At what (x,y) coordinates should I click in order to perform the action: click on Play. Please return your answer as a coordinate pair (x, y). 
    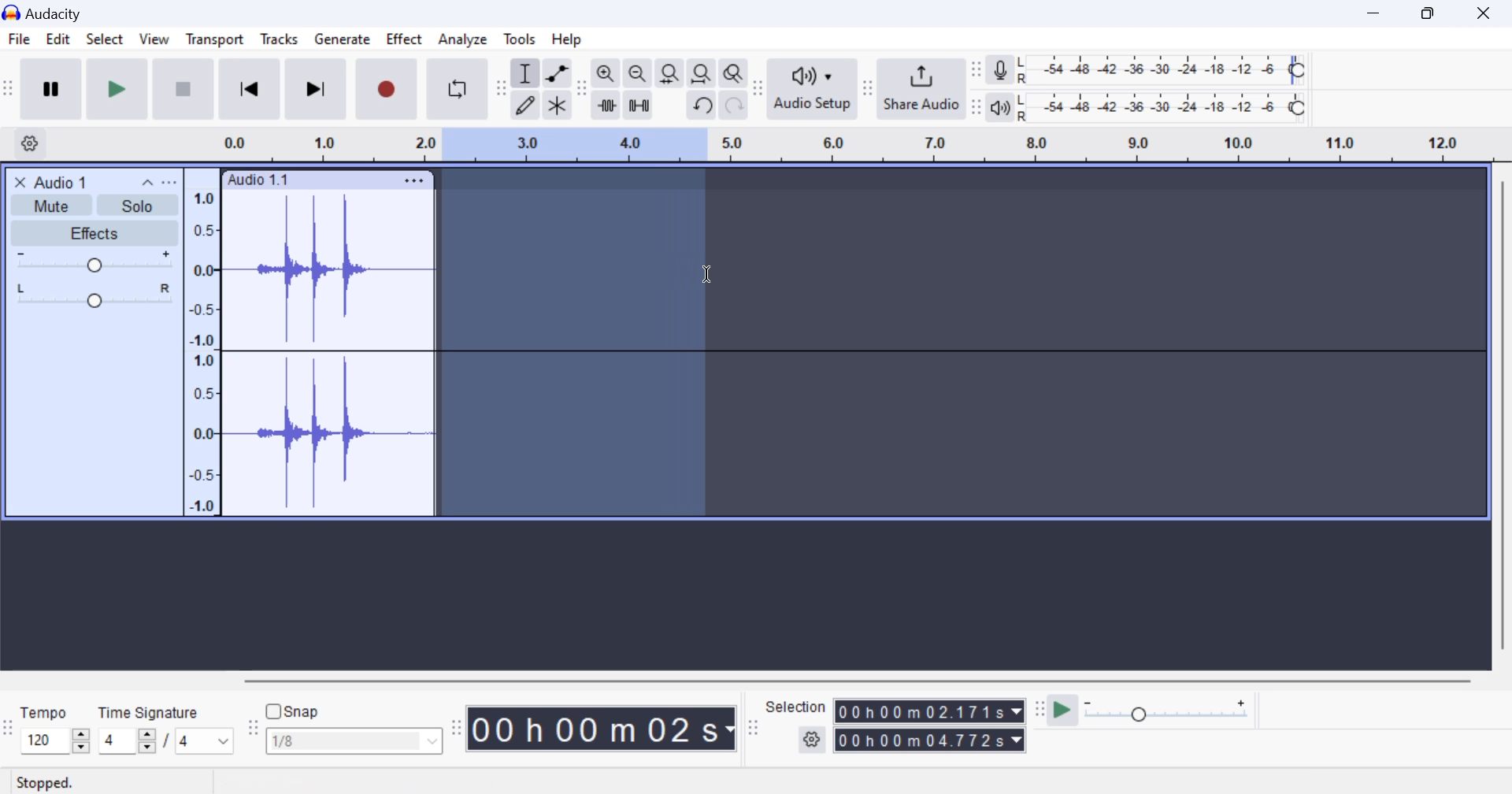
    Looking at the image, I should click on (118, 88).